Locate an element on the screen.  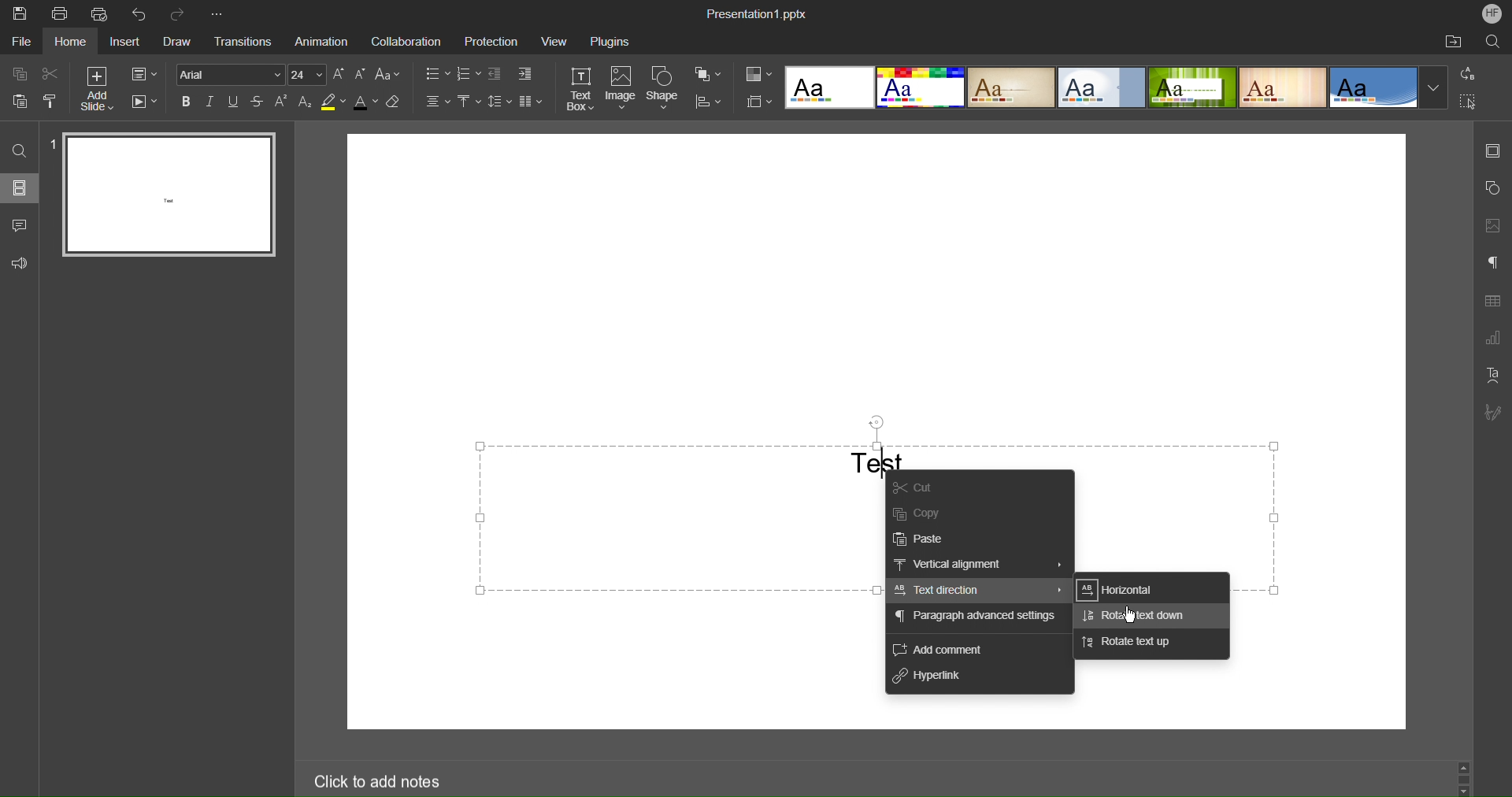
Save is located at coordinates (17, 13).